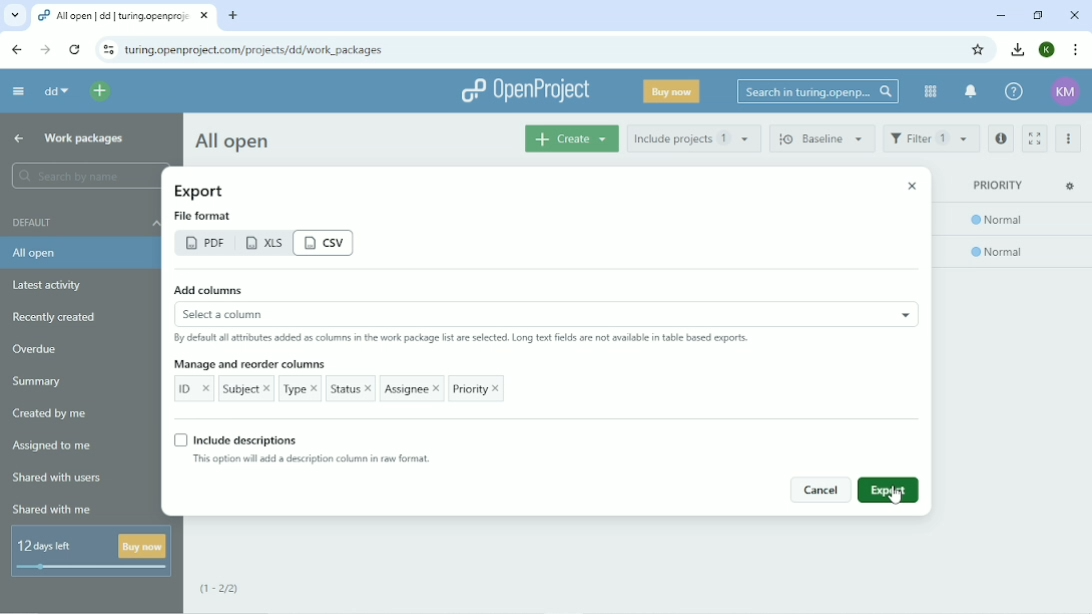  Describe the element at coordinates (820, 494) in the screenshot. I see `cancel` at that location.